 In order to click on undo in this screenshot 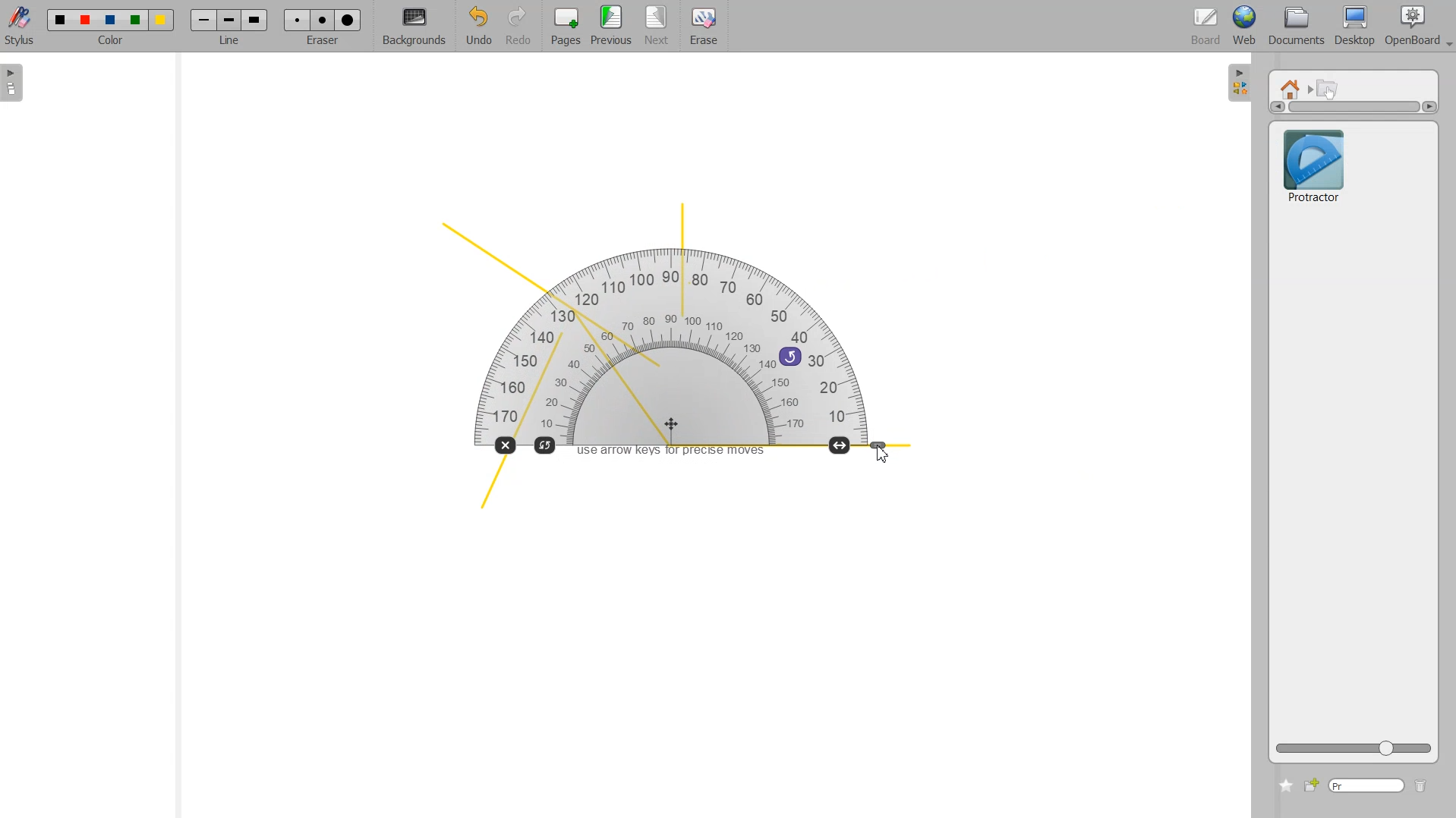, I will do `click(790, 355)`.